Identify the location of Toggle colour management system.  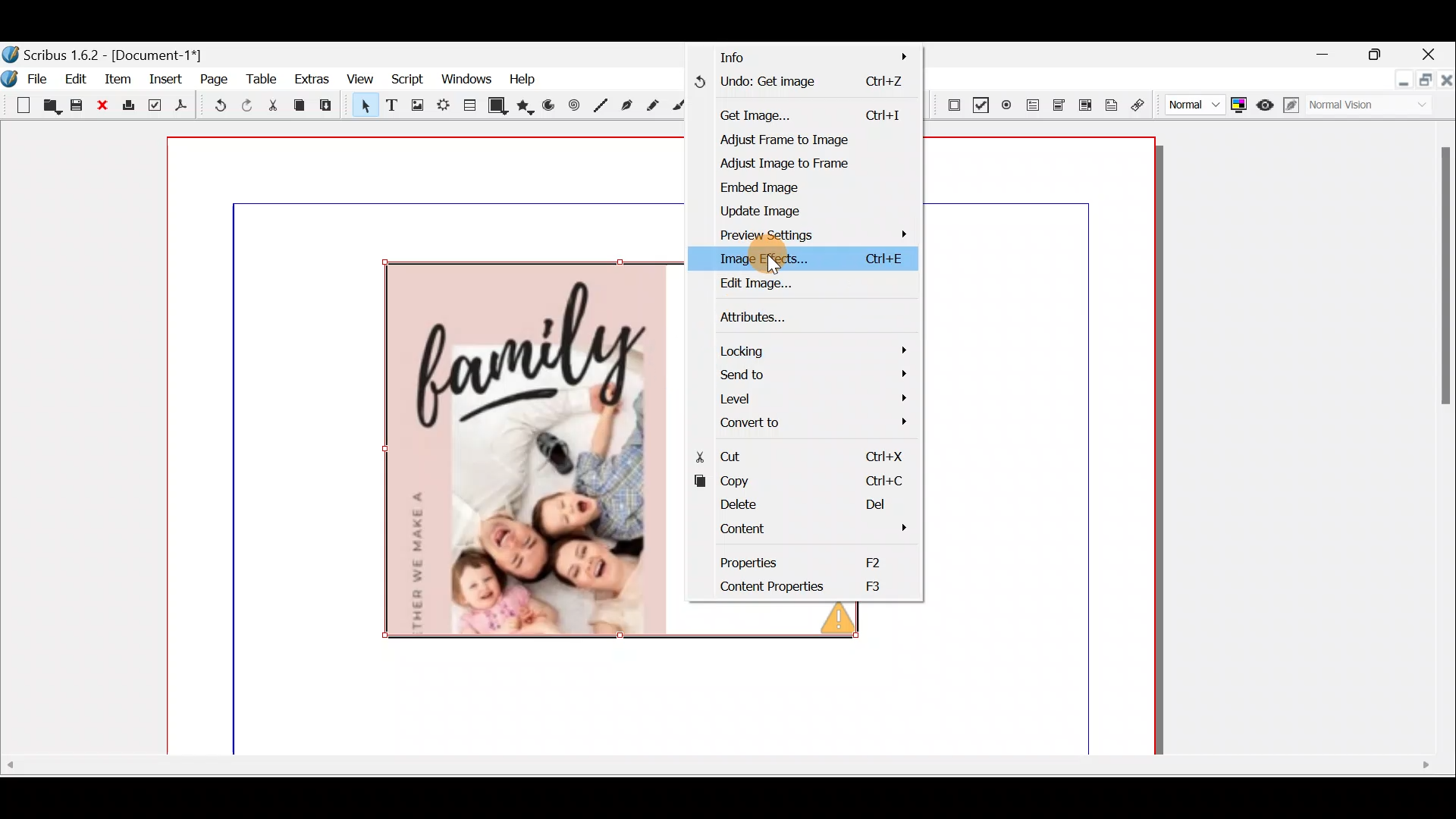
(1241, 102).